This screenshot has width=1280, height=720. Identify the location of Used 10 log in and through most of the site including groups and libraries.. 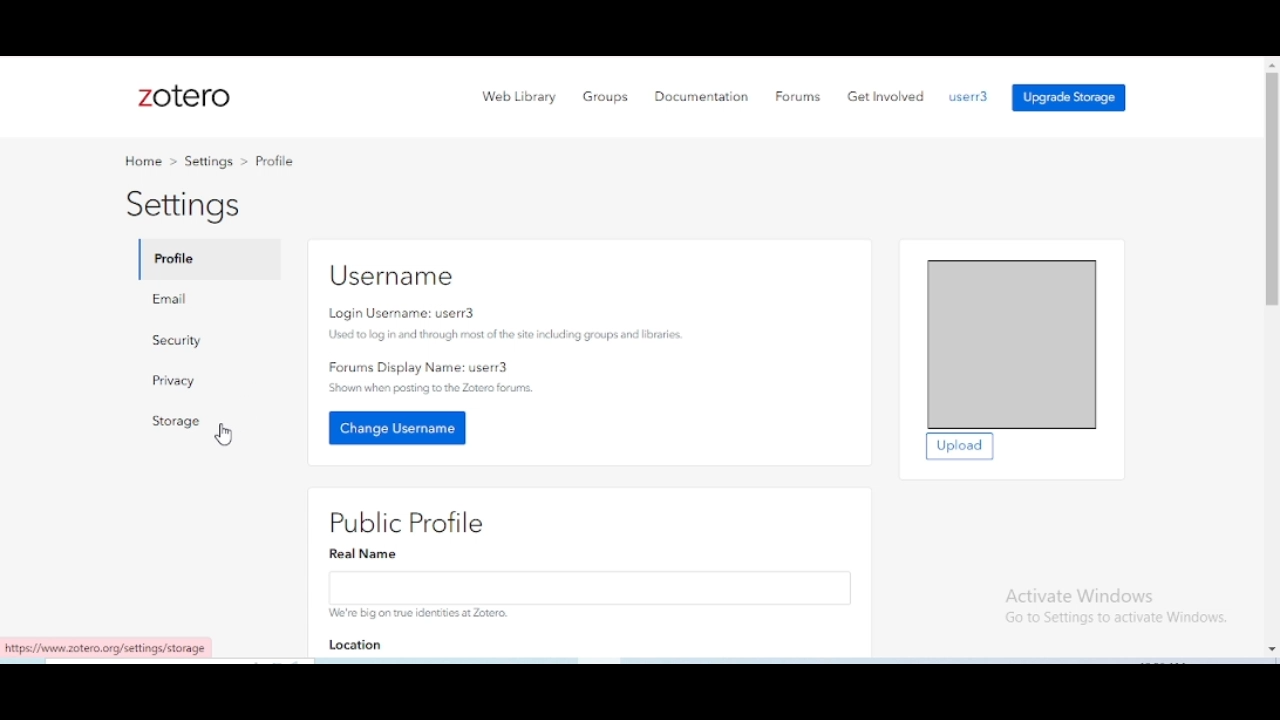
(507, 336).